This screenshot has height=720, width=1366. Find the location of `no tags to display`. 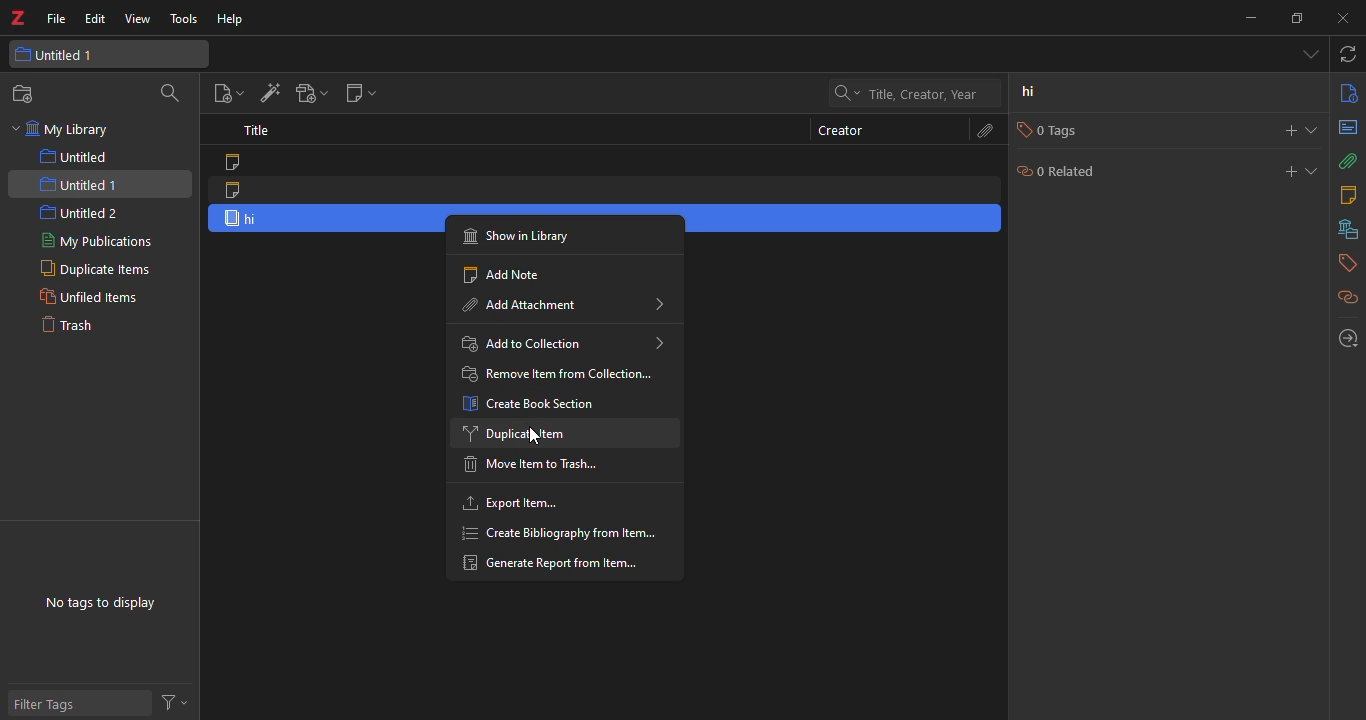

no tags to display is located at coordinates (100, 602).